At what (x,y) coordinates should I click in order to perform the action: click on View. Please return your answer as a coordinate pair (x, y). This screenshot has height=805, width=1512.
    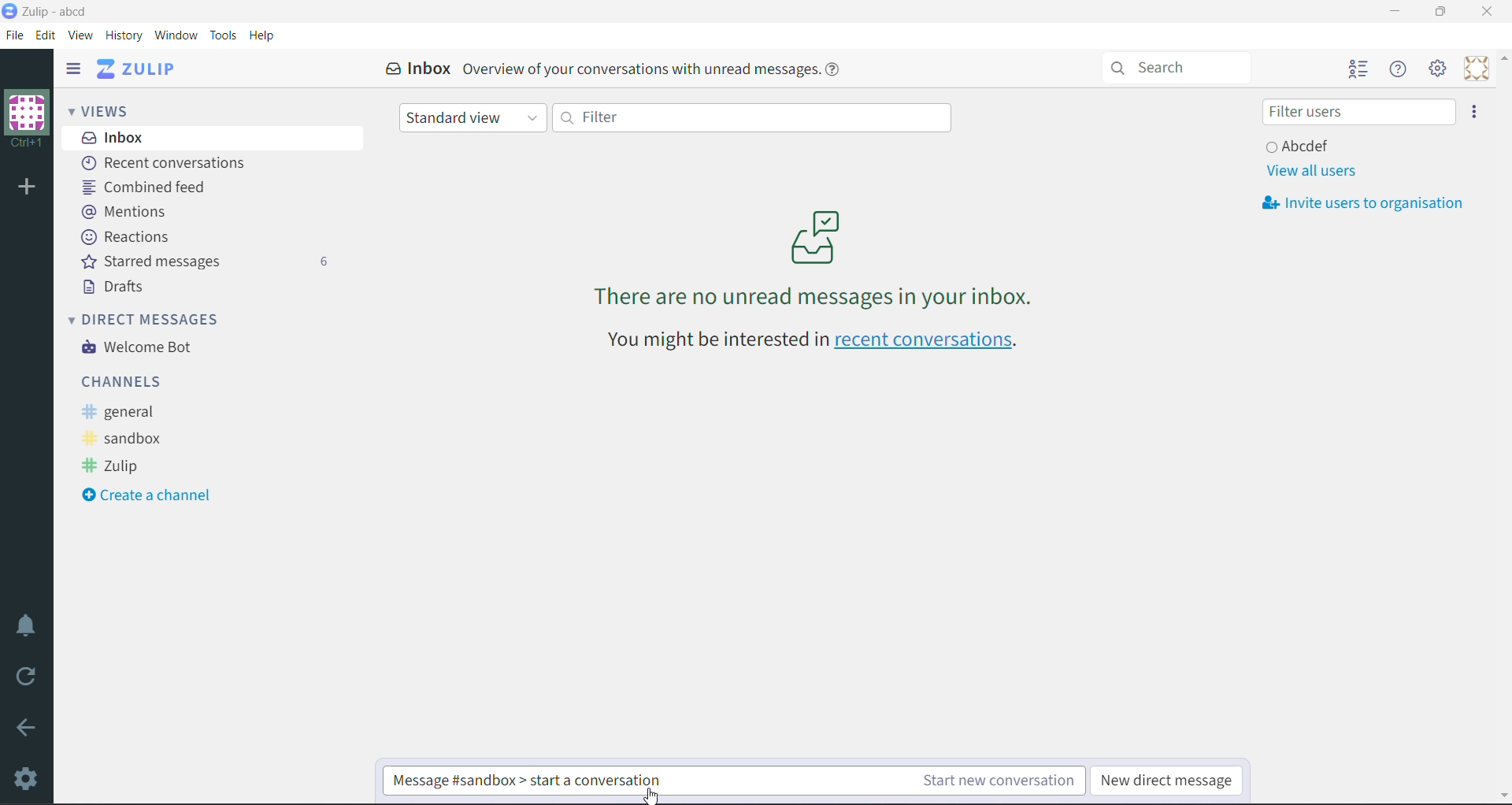
    Looking at the image, I should click on (82, 35).